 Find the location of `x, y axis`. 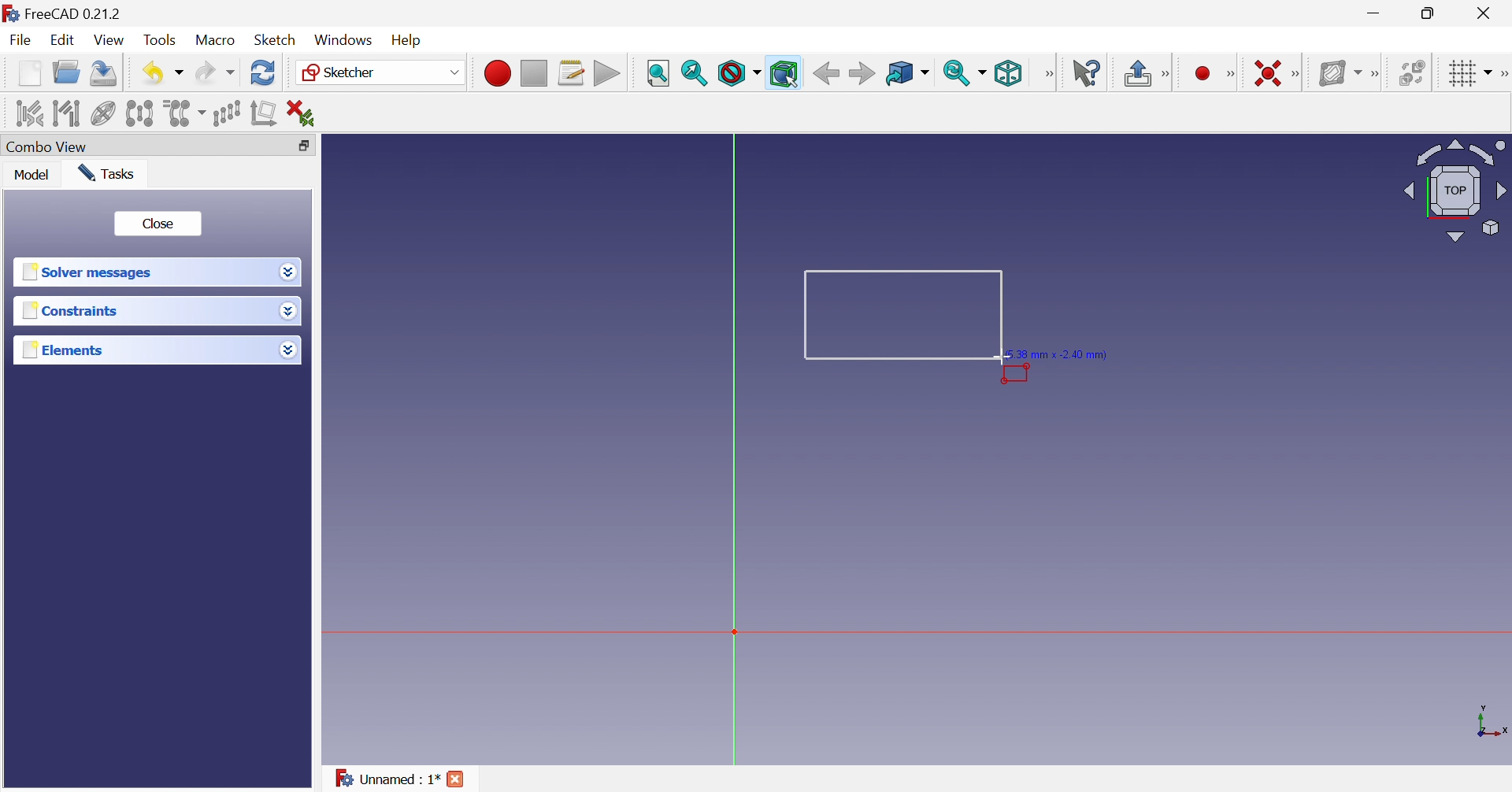

x, y axis is located at coordinates (1489, 720).